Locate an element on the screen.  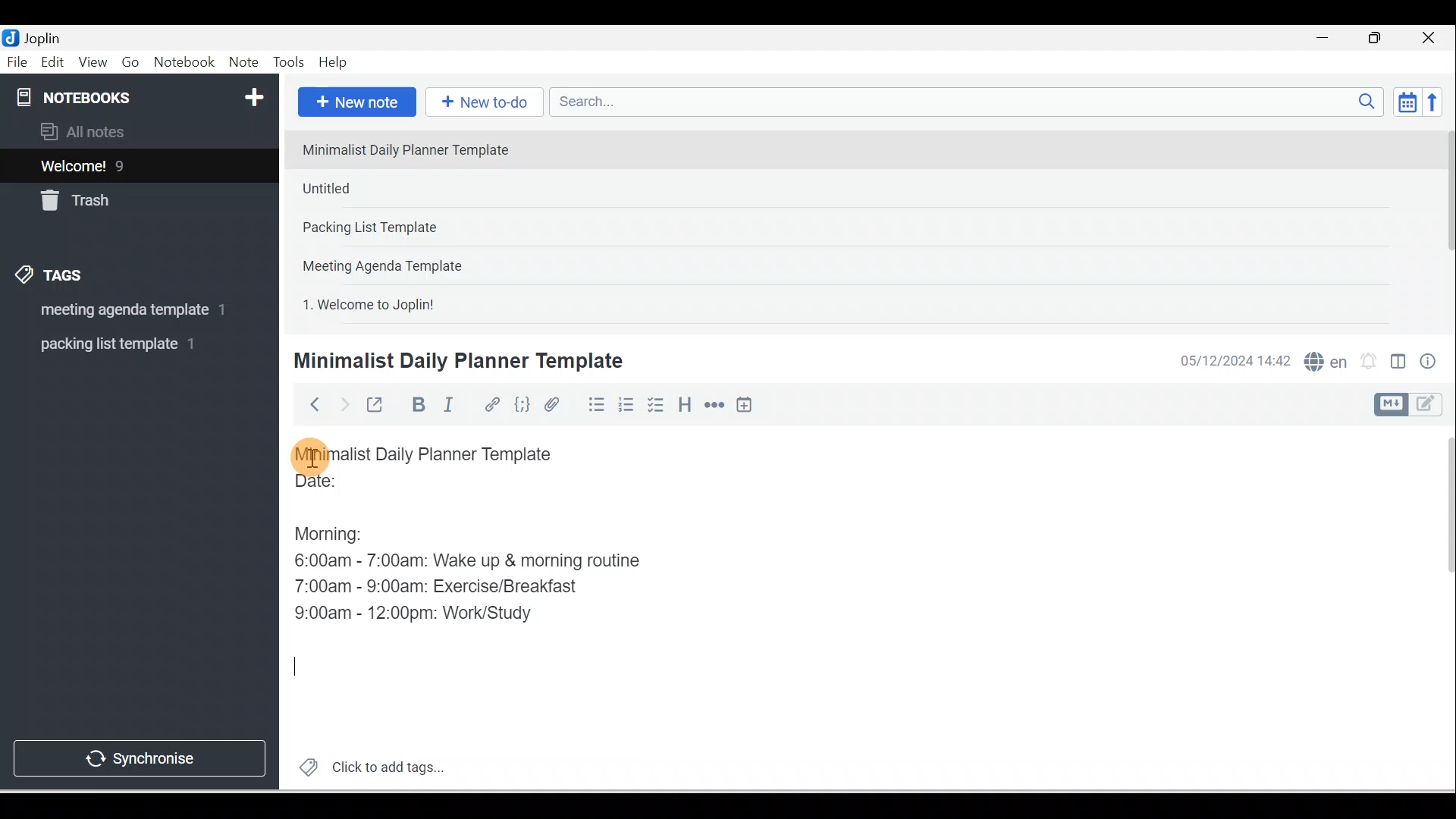
Checkbox is located at coordinates (654, 405).